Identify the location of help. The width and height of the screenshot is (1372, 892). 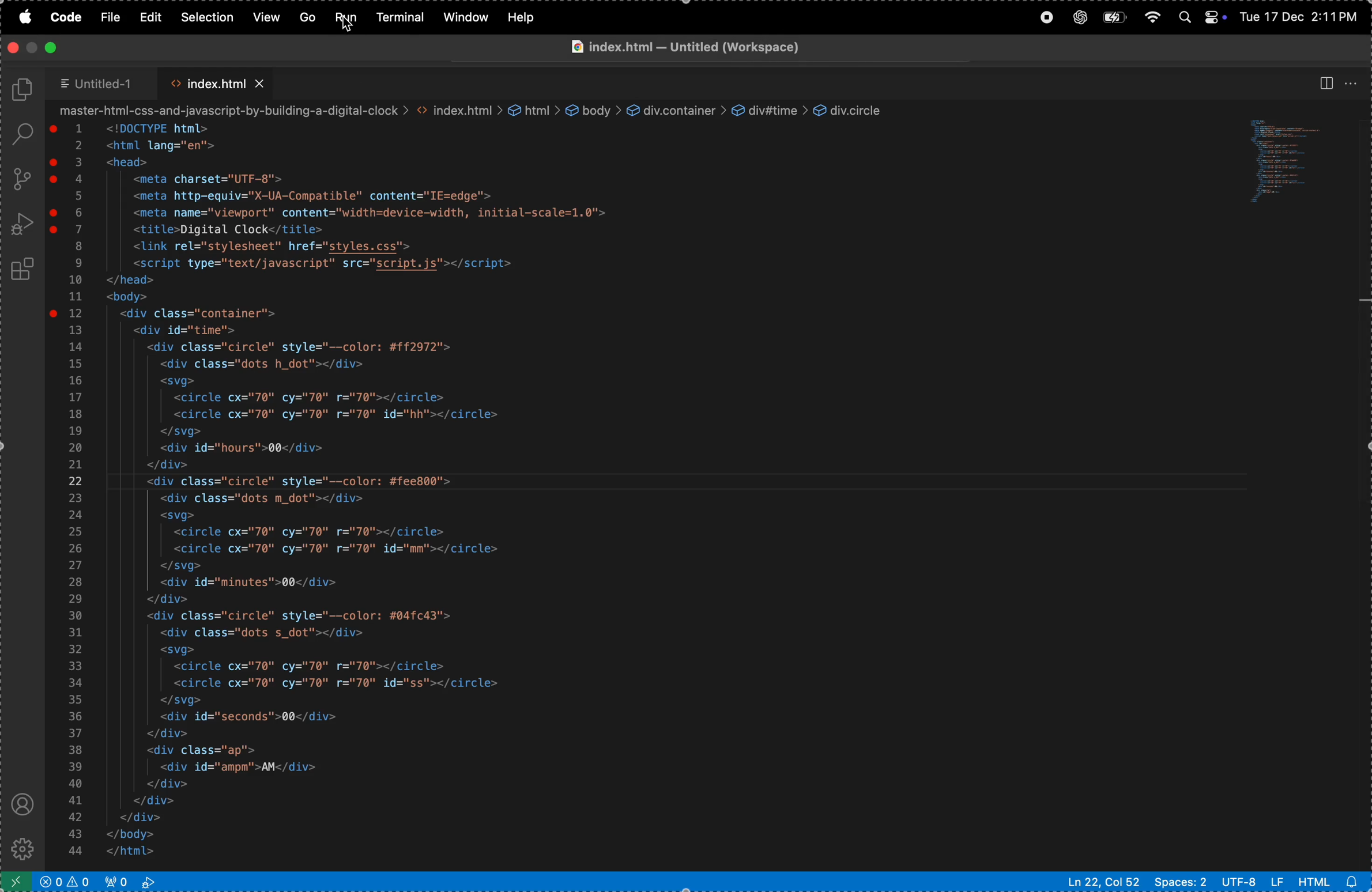
(522, 17).